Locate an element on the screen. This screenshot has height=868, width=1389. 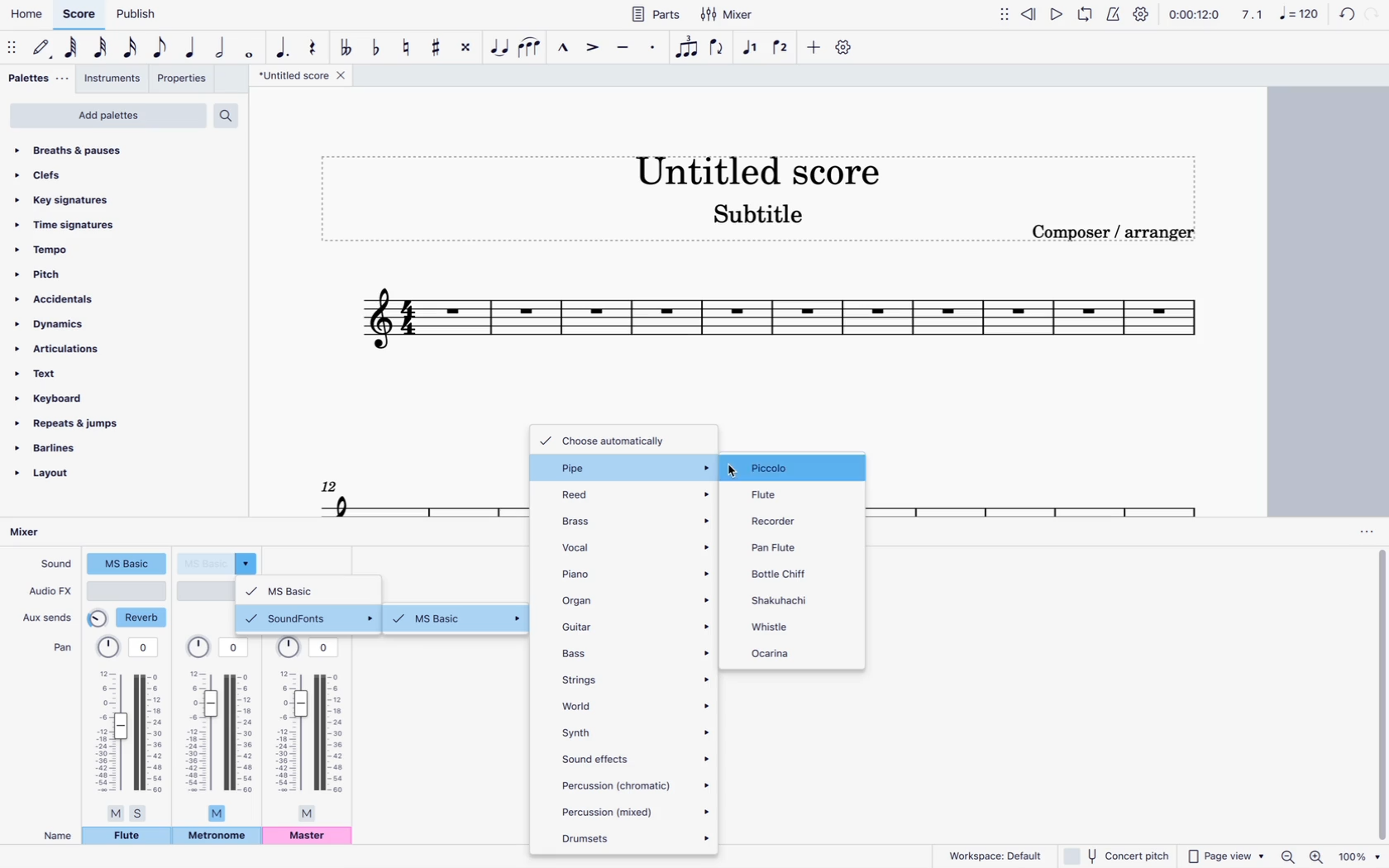
publish is located at coordinates (135, 16).